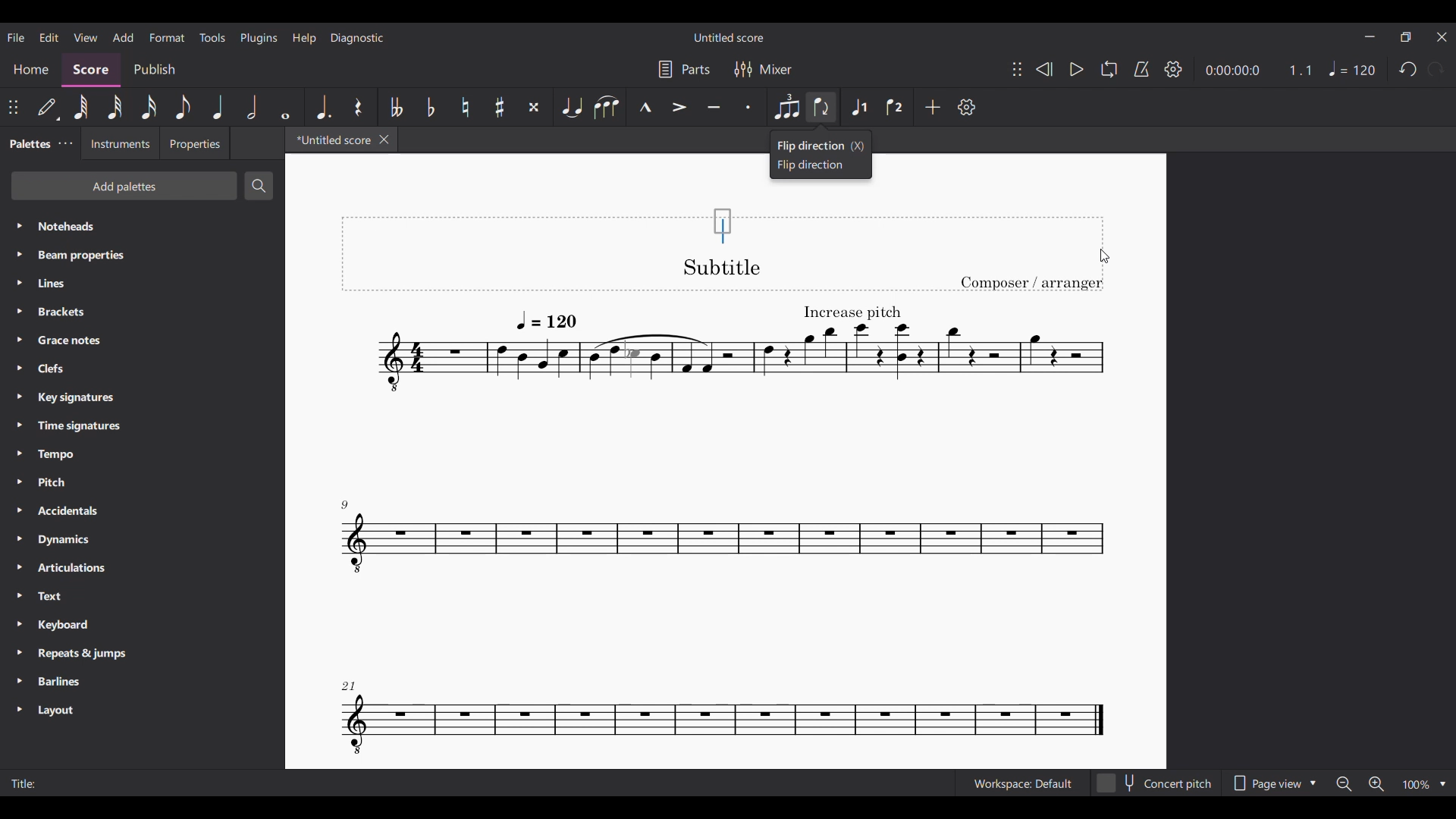 This screenshot has width=1456, height=819. I want to click on Search, so click(259, 185).